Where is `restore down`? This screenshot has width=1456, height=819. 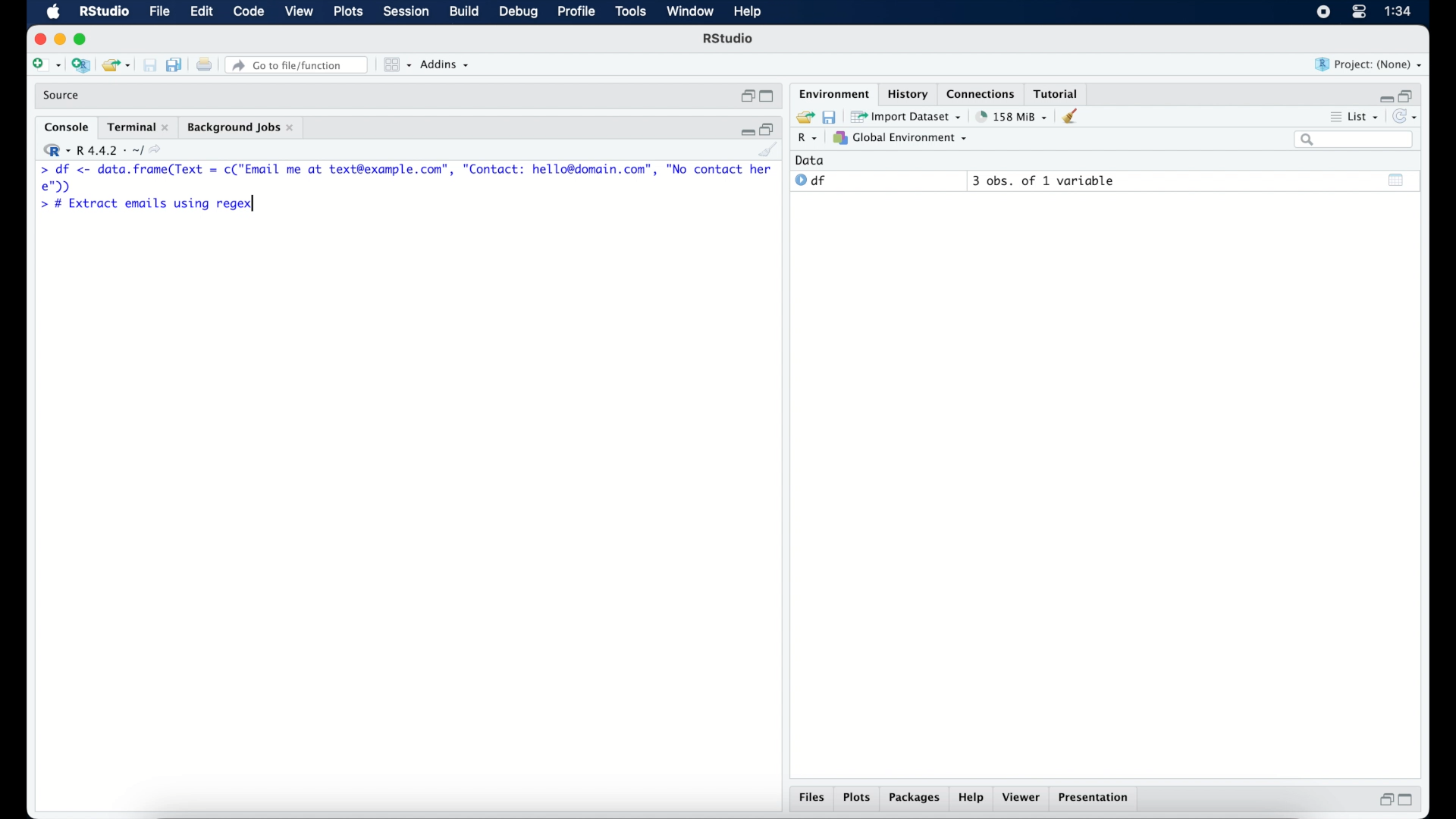 restore down is located at coordinates (1412, 96).